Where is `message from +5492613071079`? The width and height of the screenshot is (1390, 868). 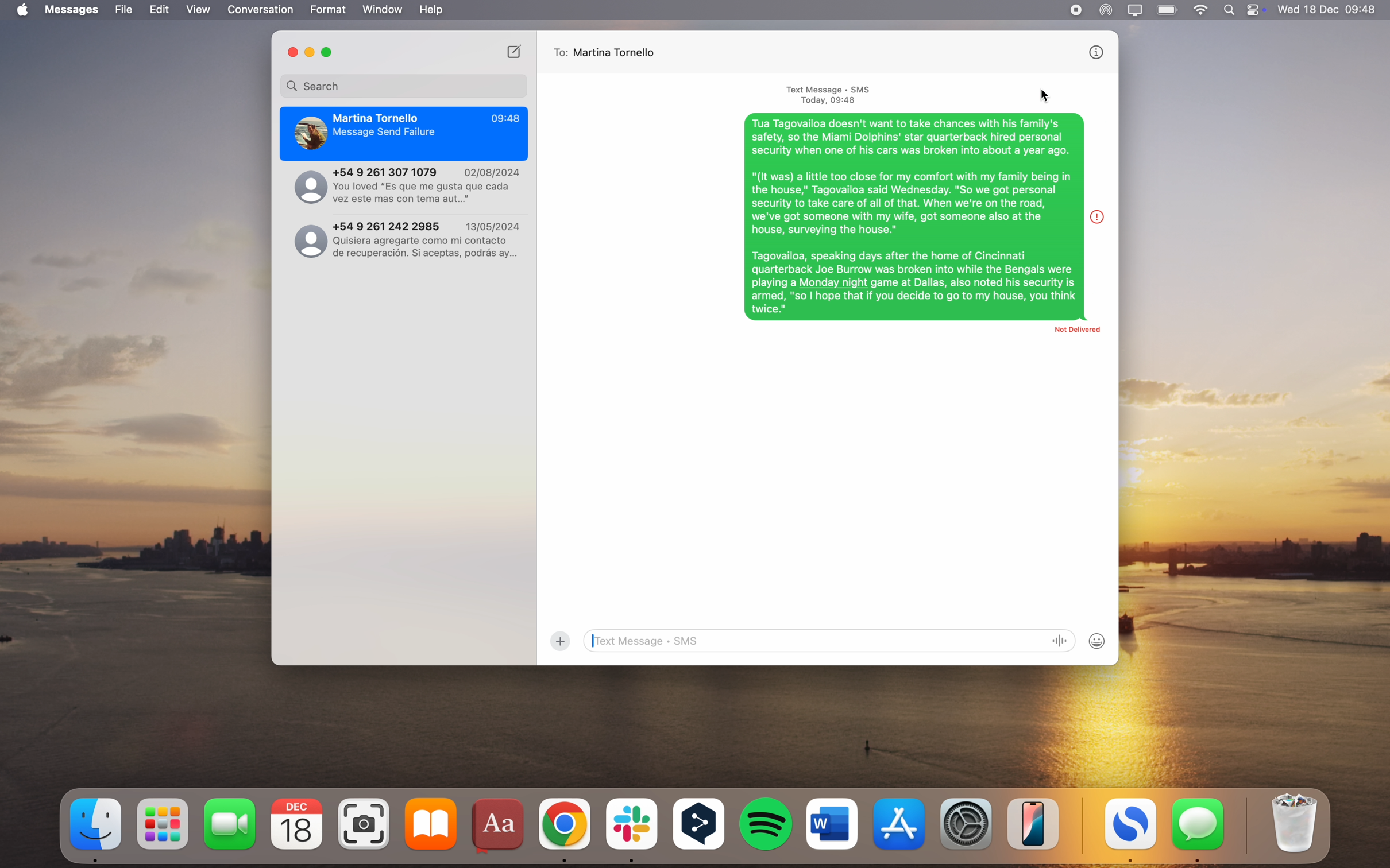 message from +5492613071079 is located at coordinates (403, 186).